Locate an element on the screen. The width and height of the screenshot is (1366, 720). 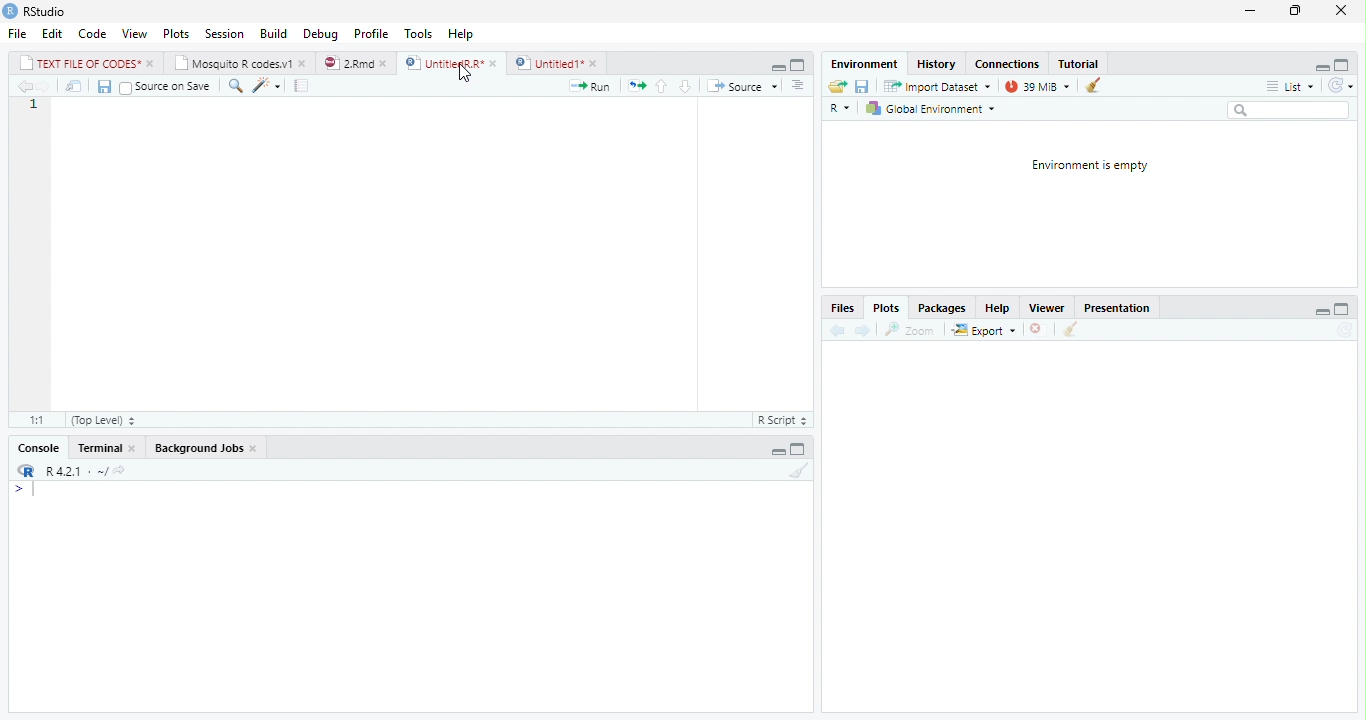
Previous is located at coordinates (835, 329).